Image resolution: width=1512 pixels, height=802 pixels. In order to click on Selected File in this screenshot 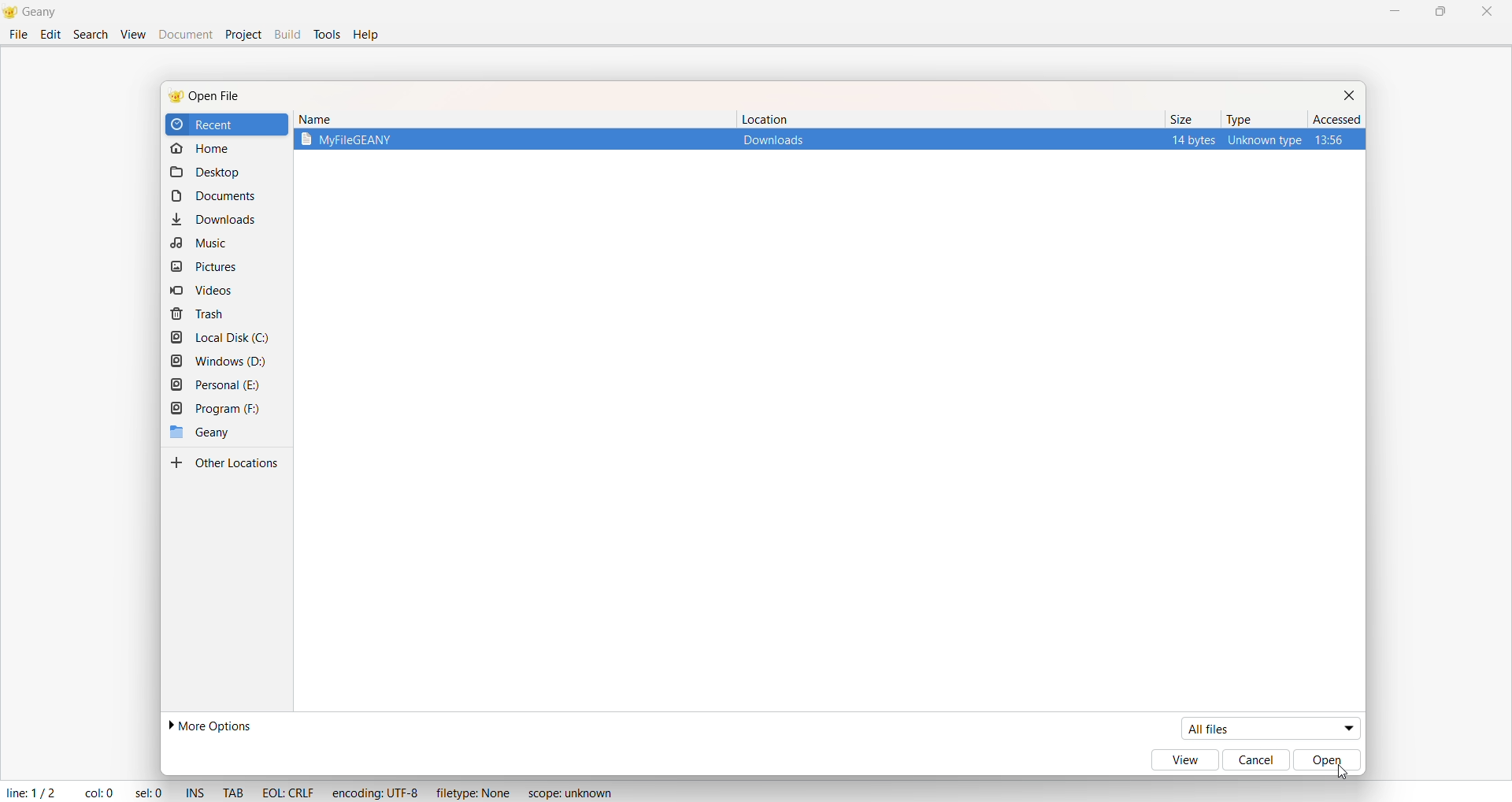, I will do `click(831, 144)`.